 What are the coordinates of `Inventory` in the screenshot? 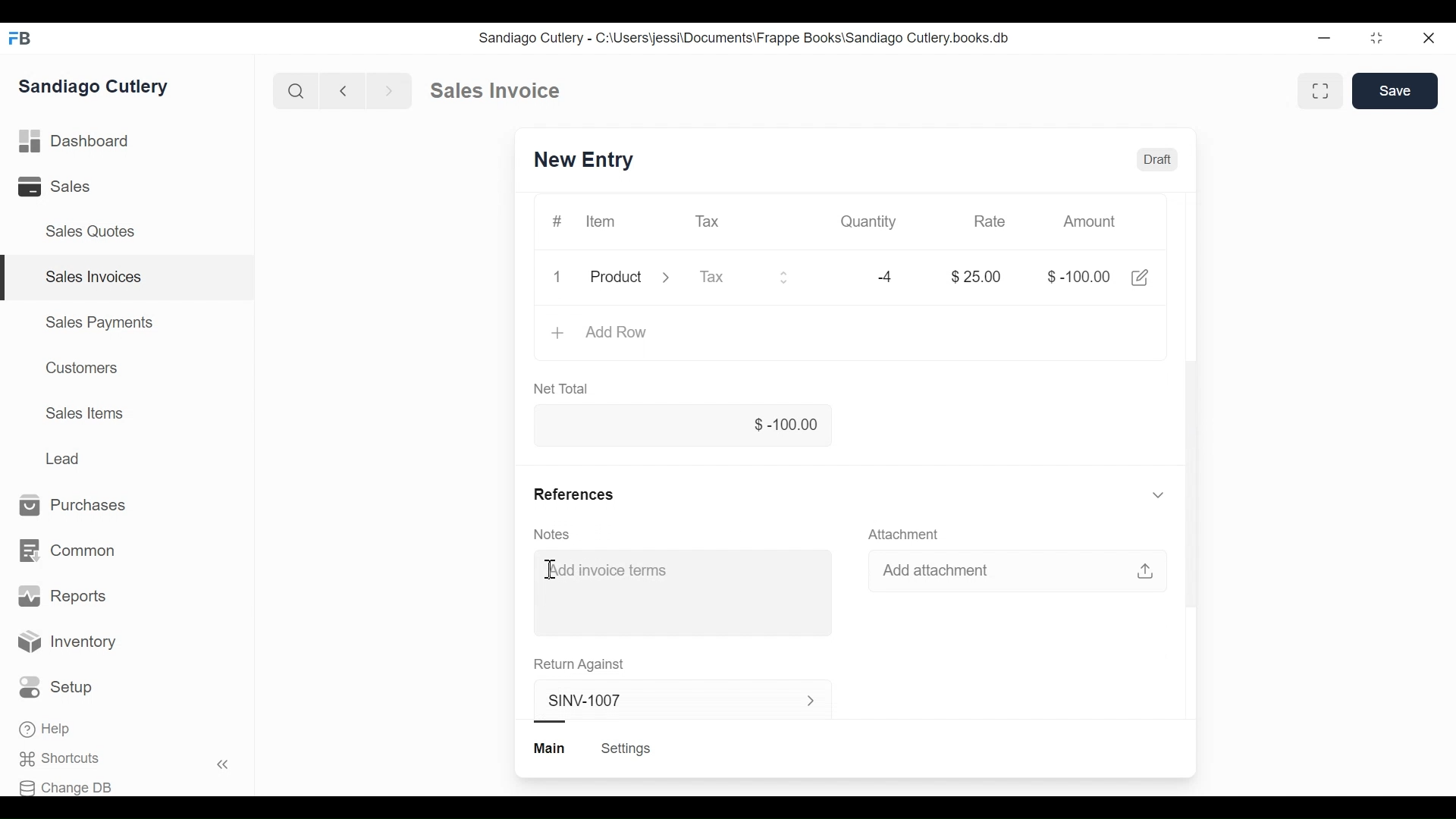 It's located at (65, 639).